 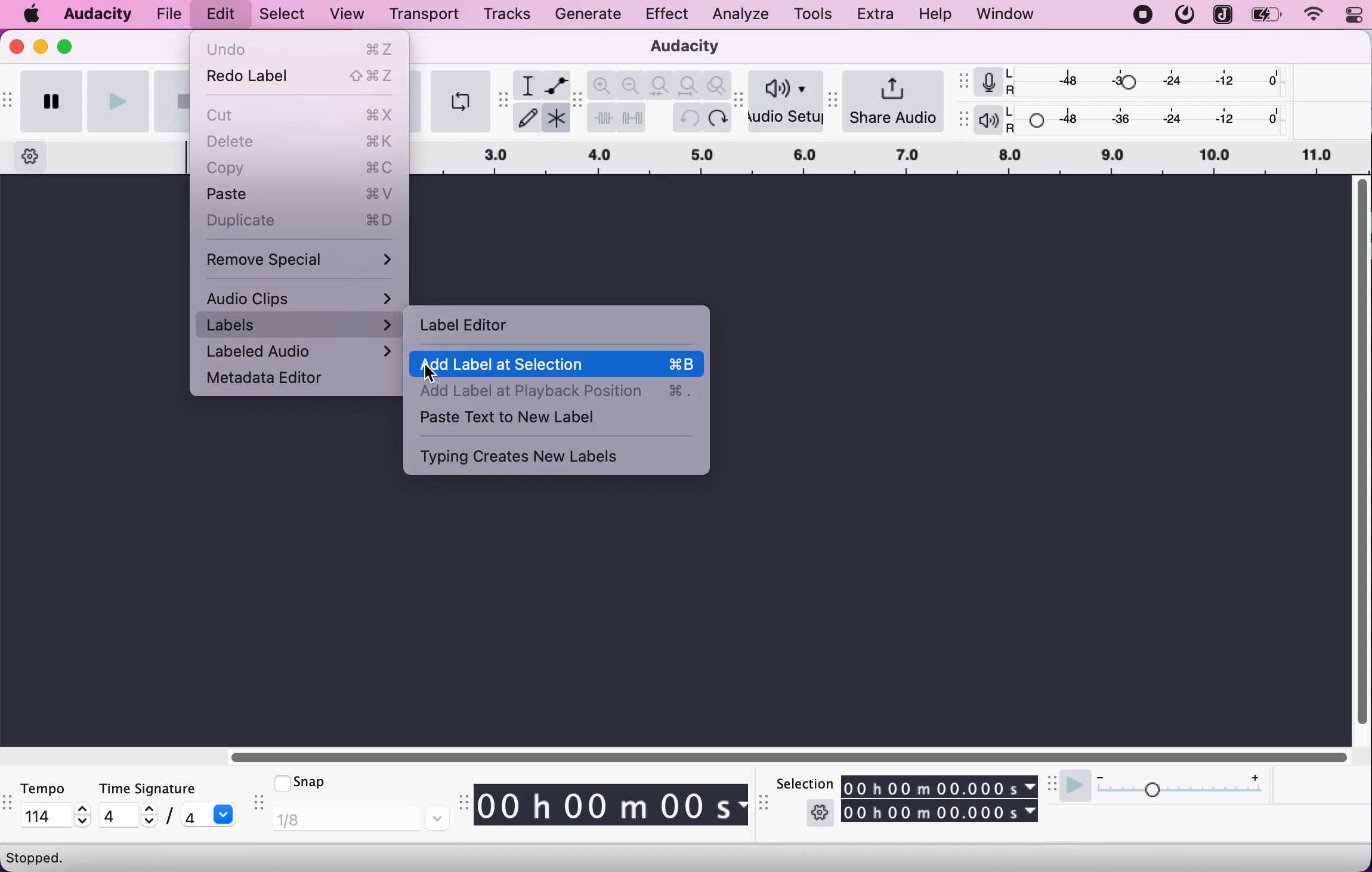 What do you see at coordinates (41, 46) in the screenshot?
I see `minimize` at bounding box center [41, 46].